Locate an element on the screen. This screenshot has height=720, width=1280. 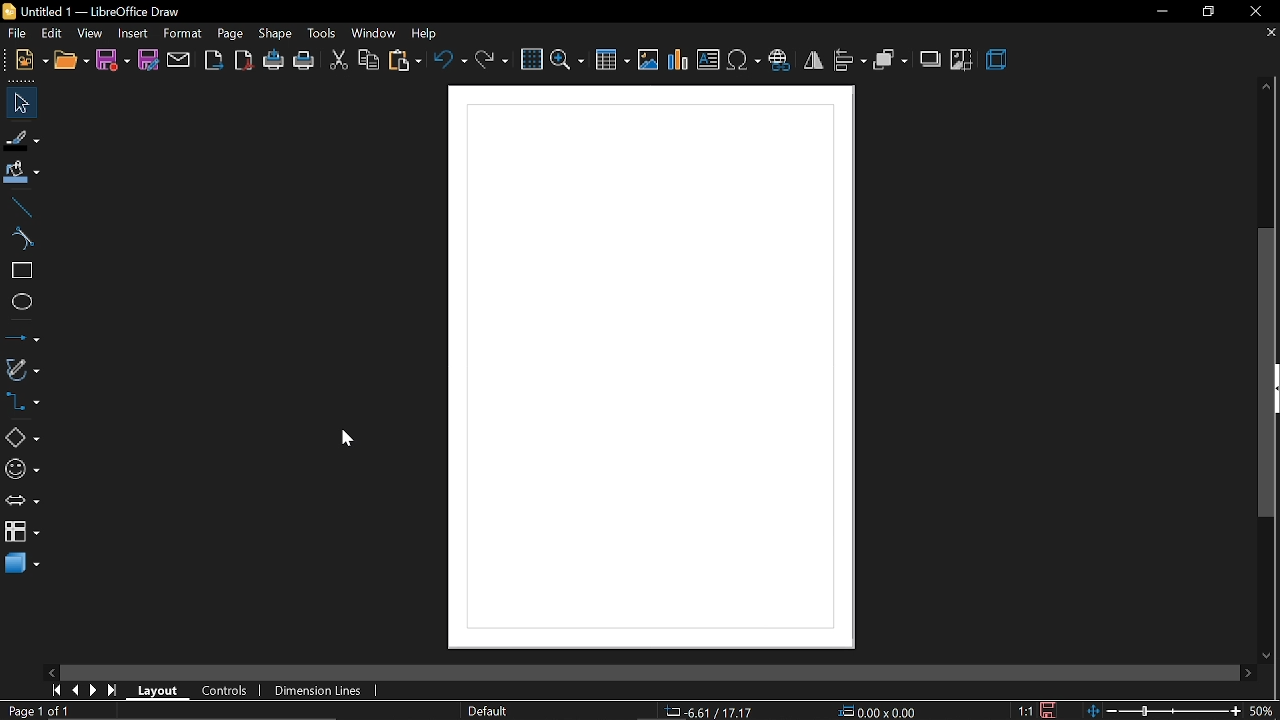
Untitled 1 - LibreOffice Draw - current window is located at coordinates (90, 13).